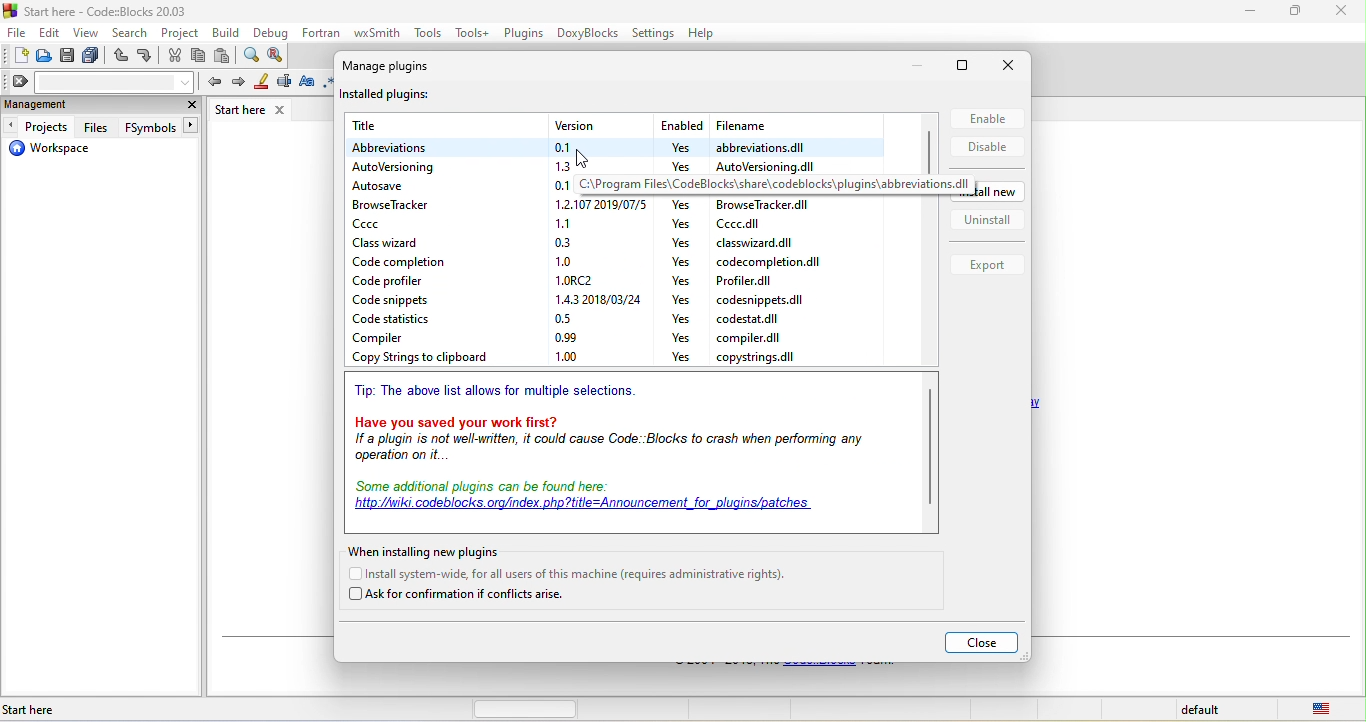 The image size is (1366, 722). I want to click on manage plugins, so click(386, 67).